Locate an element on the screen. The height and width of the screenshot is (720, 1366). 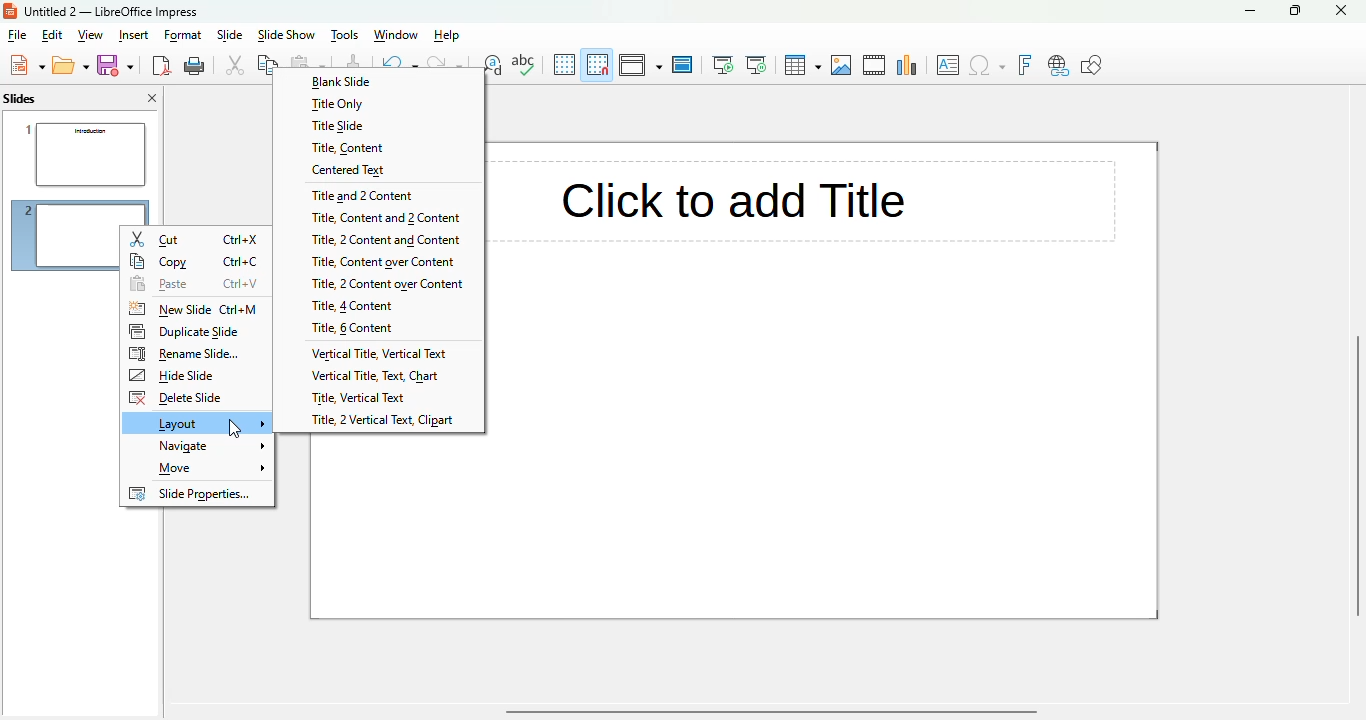
open is located at coordinates (71, 65).